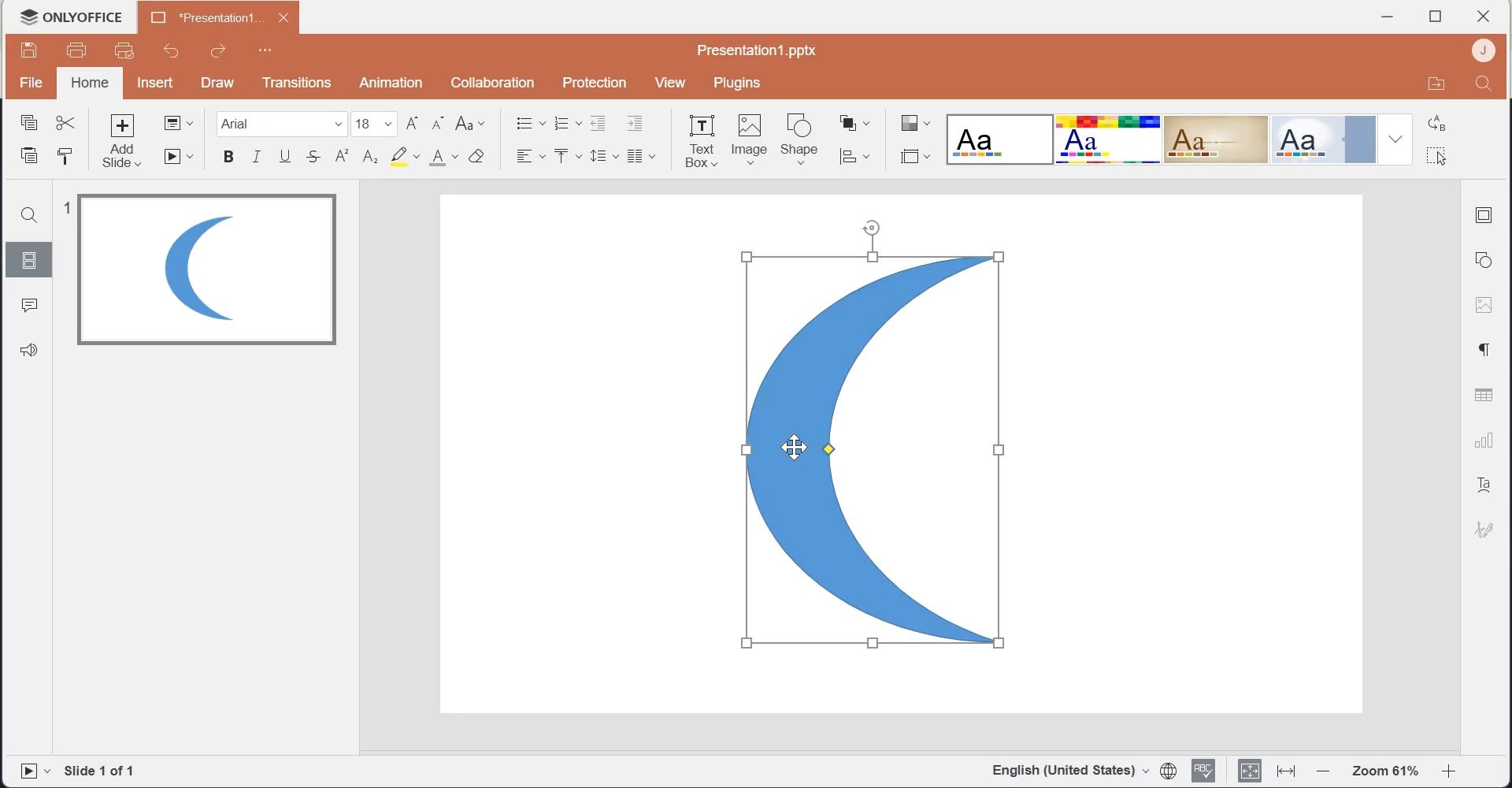 This screenshot has height=788, width=1512. Describe the element at coordinates (1481, 50) in the screenshot. I see `Account` at that location.